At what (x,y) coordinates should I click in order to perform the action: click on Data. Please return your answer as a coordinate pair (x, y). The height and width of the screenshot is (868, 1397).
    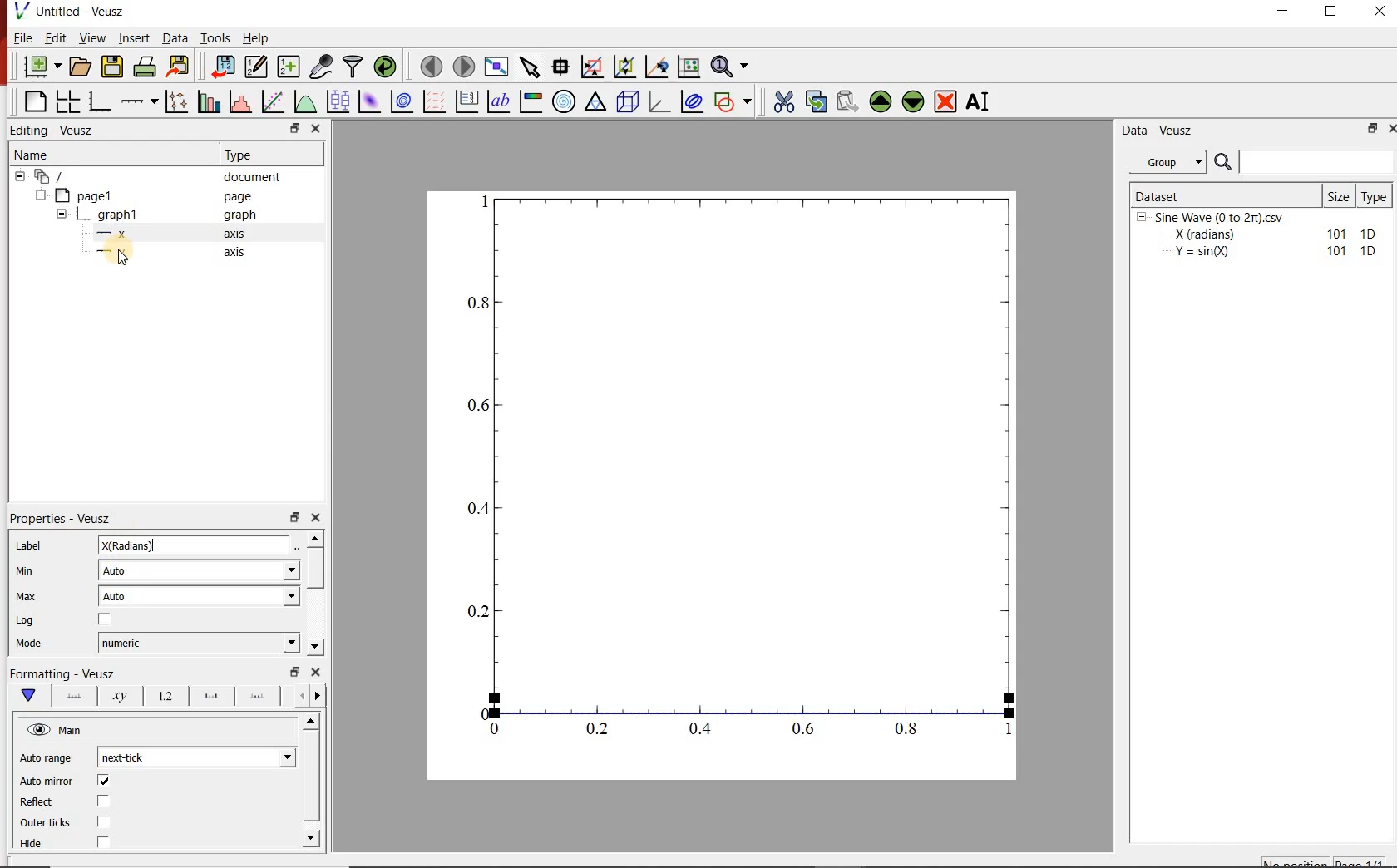
    Looking at the image, I should click on (174, 37).